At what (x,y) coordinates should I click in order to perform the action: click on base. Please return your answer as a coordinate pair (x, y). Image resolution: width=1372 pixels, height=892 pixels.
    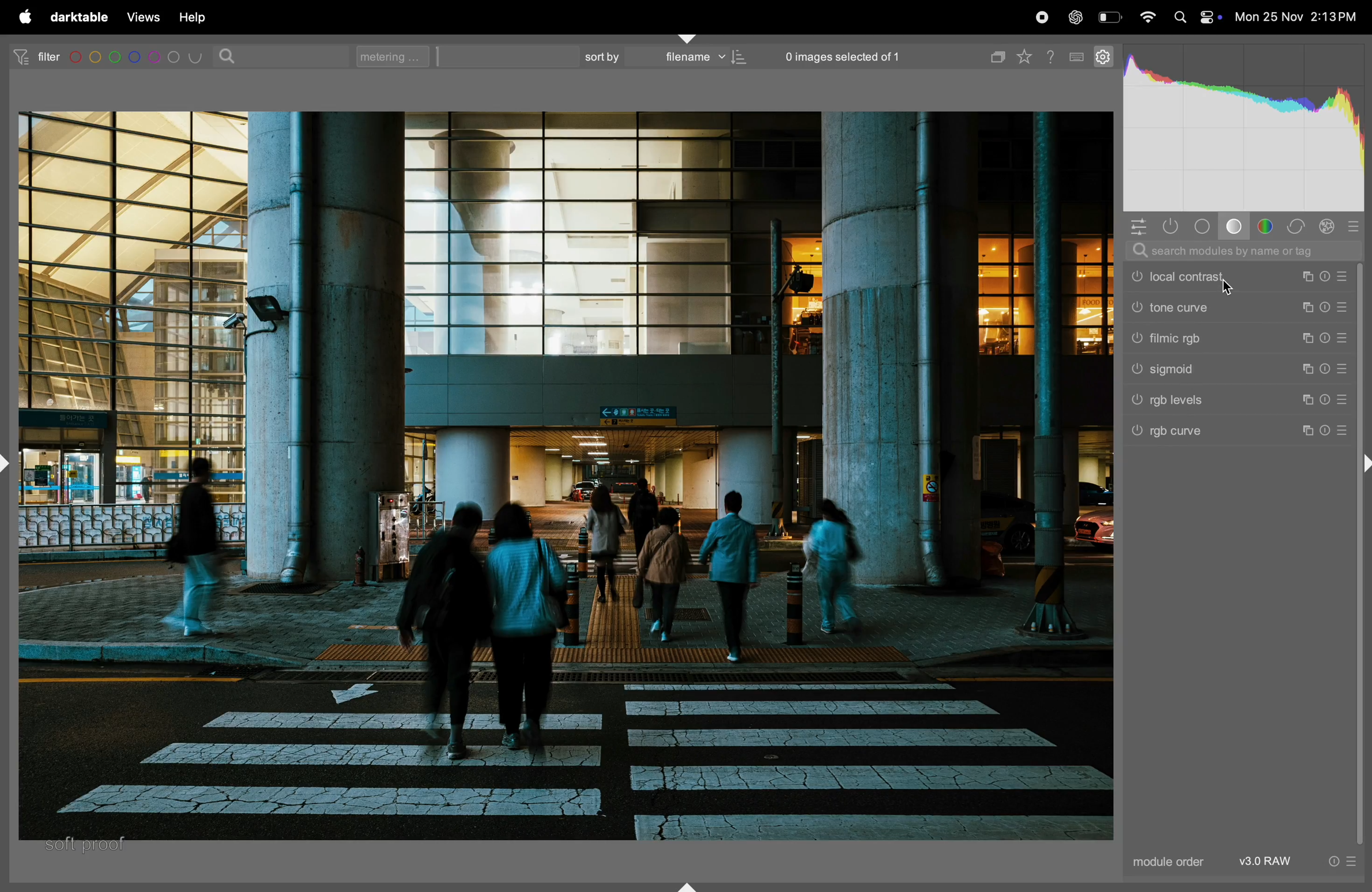
    Looking at the image, I should click on (1234, 226).